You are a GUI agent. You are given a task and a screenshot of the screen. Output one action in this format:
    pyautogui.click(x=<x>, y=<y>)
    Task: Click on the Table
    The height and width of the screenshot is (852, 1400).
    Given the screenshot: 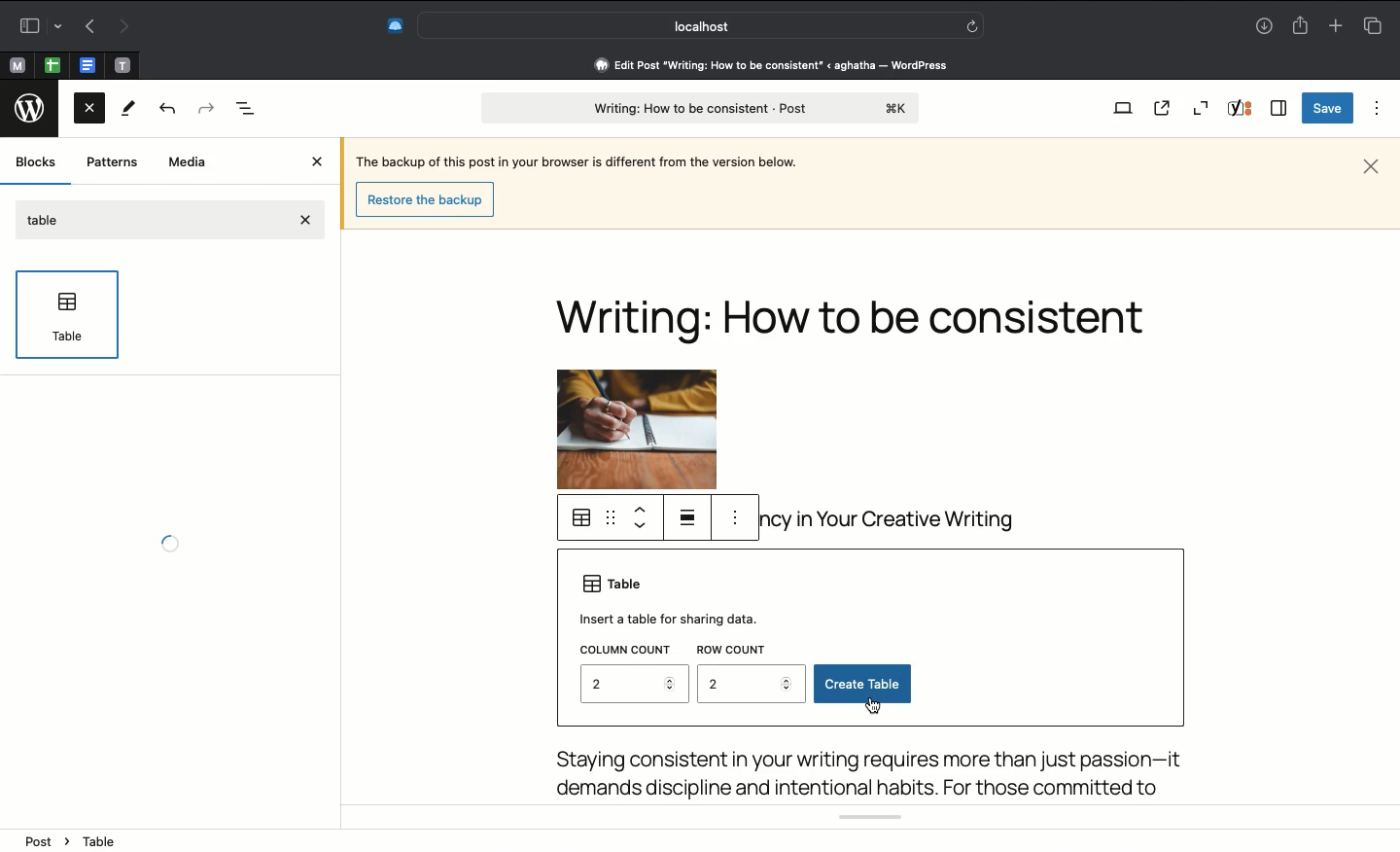 What is the action you would take?
    pyautogui.click(x=46, y=217)
    